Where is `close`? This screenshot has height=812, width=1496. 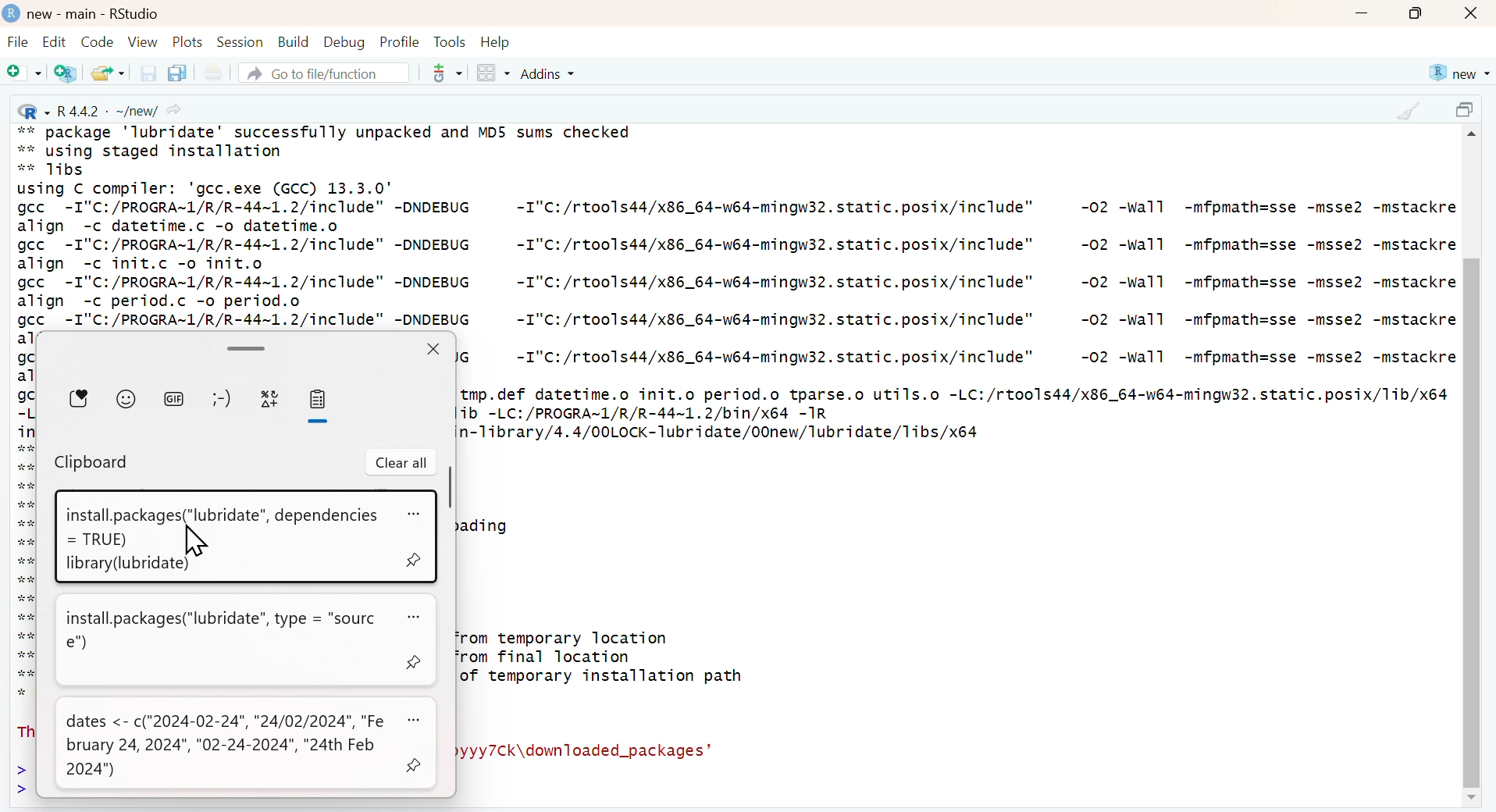 close is located at coordinates (433, 348).